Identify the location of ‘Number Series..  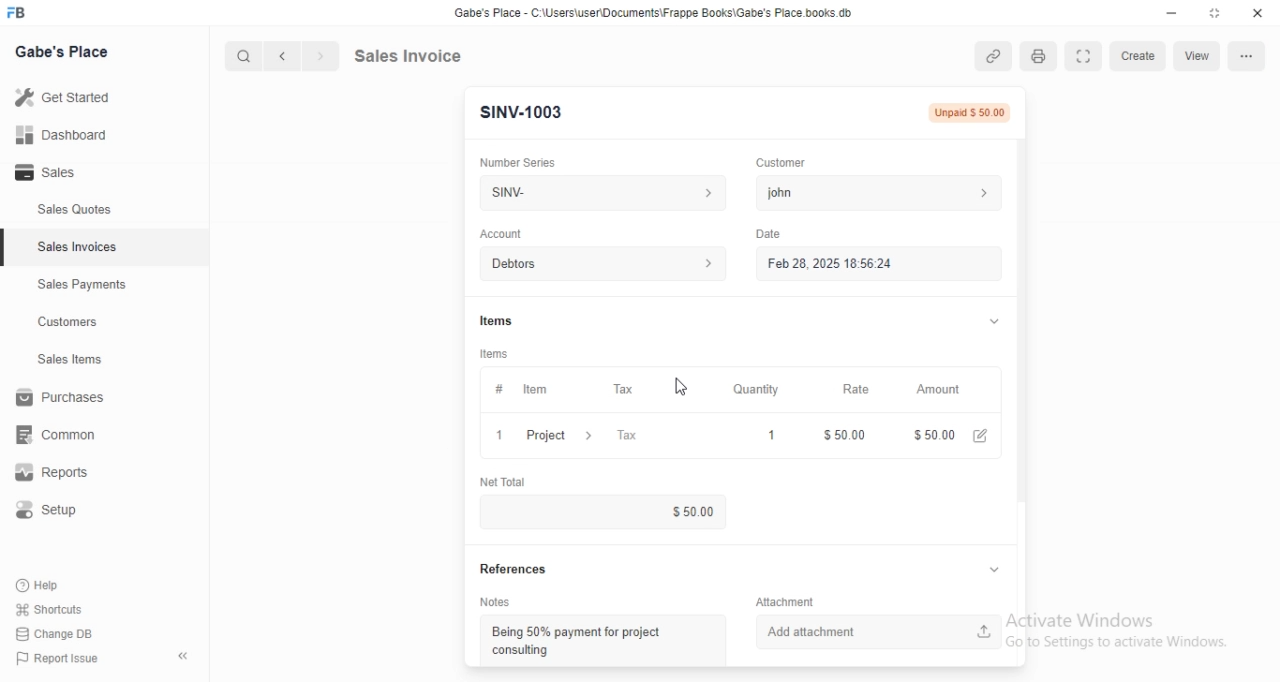
(520, 161).